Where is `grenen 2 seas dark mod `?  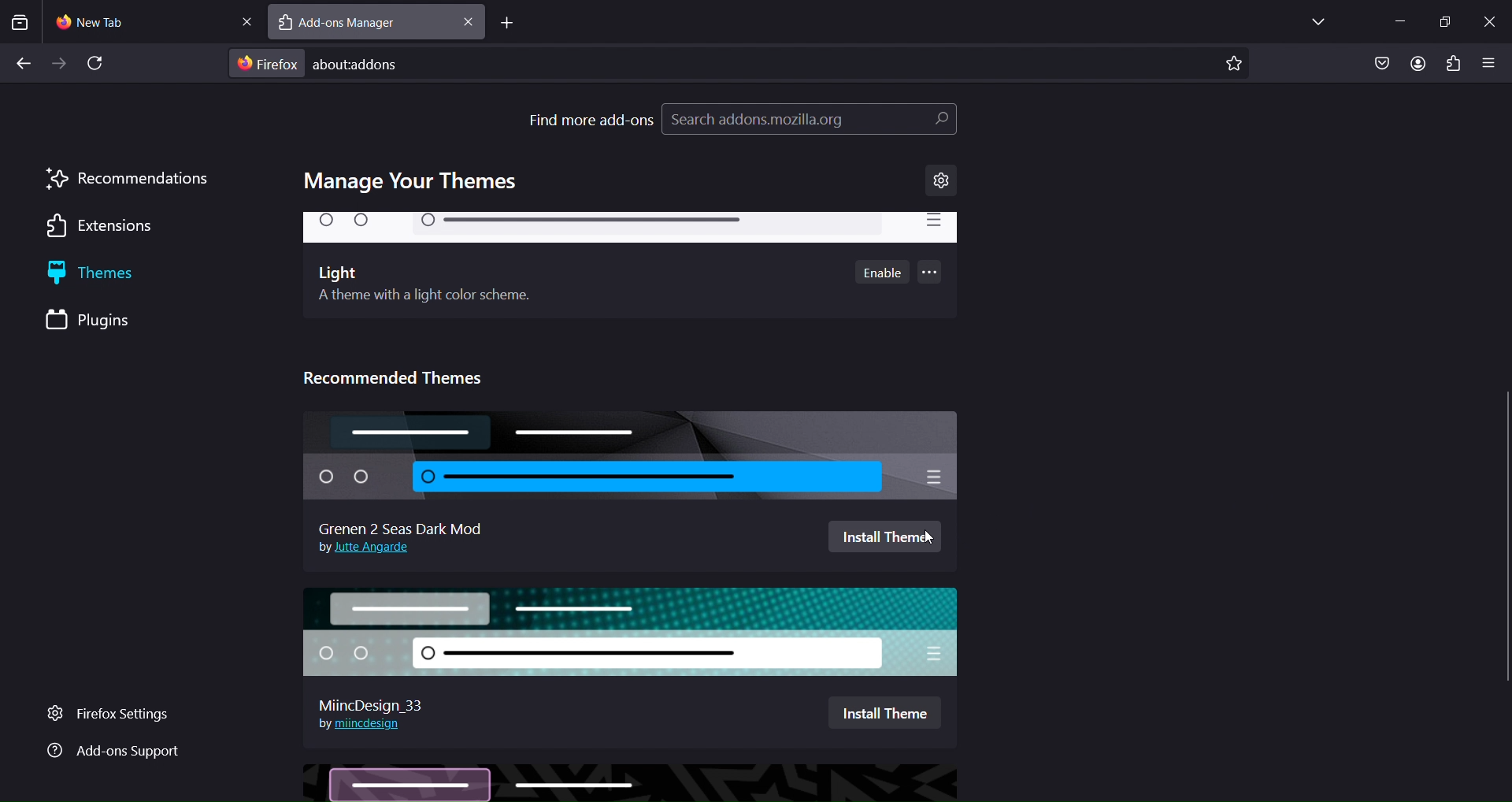 grenen 2 seas dark mod  is located at coordinates (402, 525).